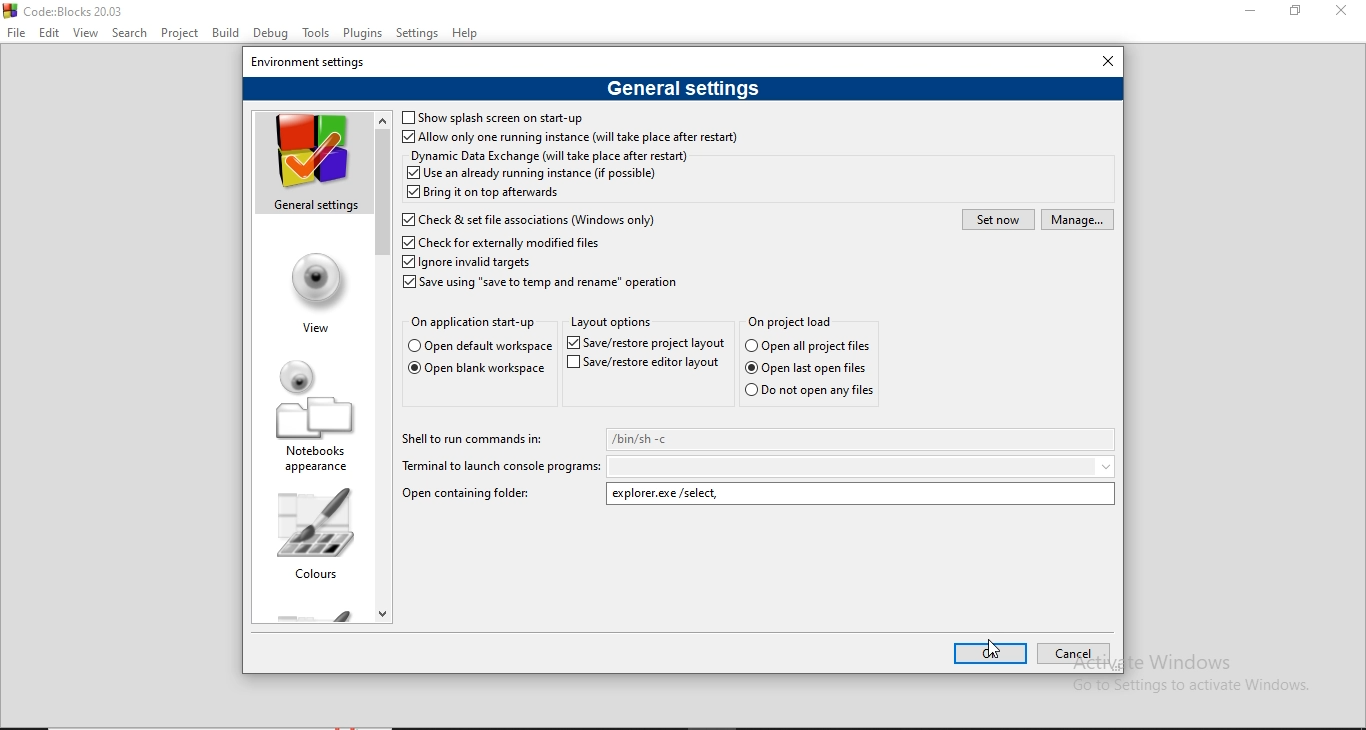 The image size is (1366, 730). Describe the element at coordinates (180, 30) in the screenshot. I see `Project ` at that location.